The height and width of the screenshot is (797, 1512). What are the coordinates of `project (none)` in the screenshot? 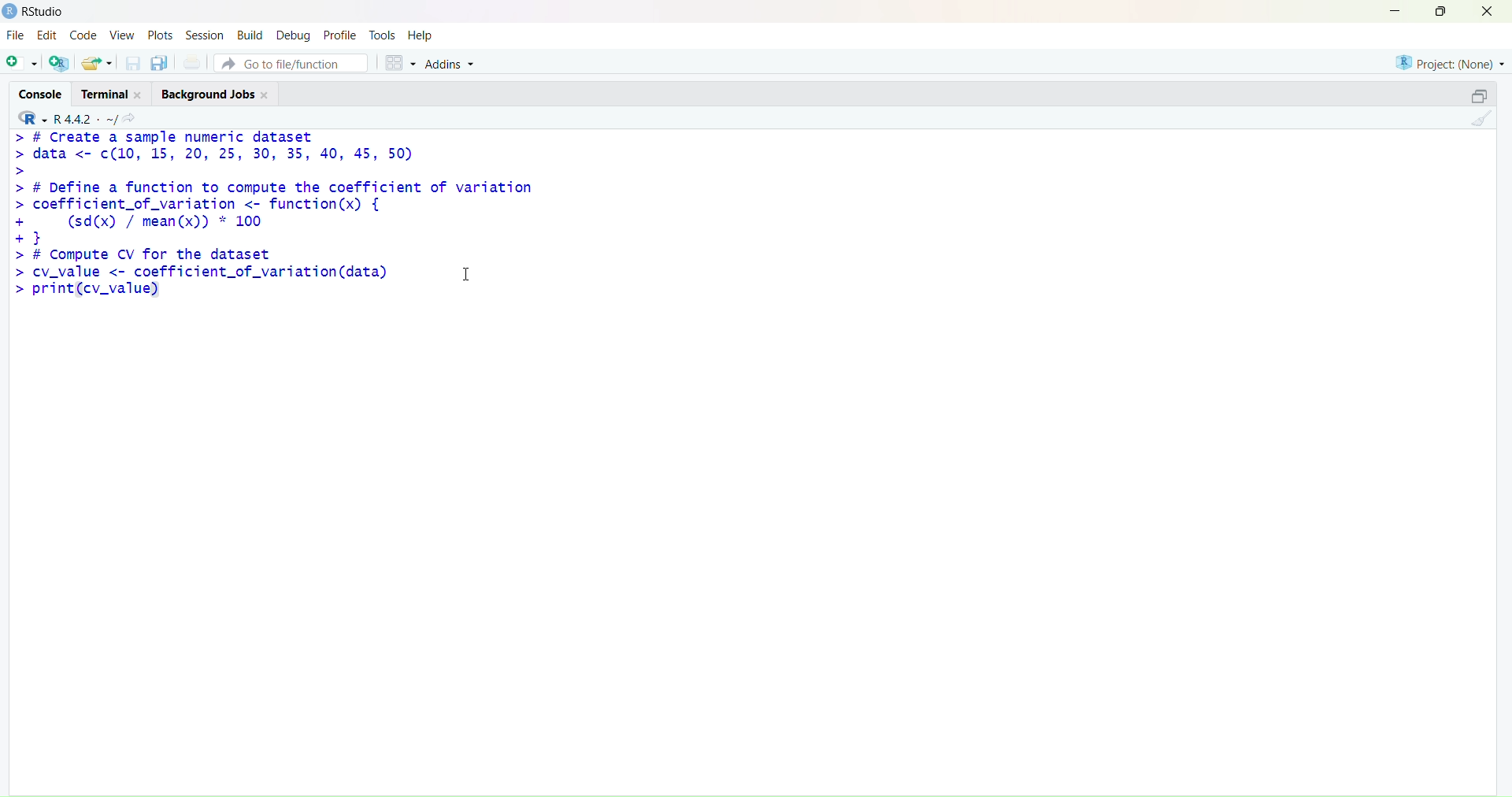 It's located at (1450, 63).